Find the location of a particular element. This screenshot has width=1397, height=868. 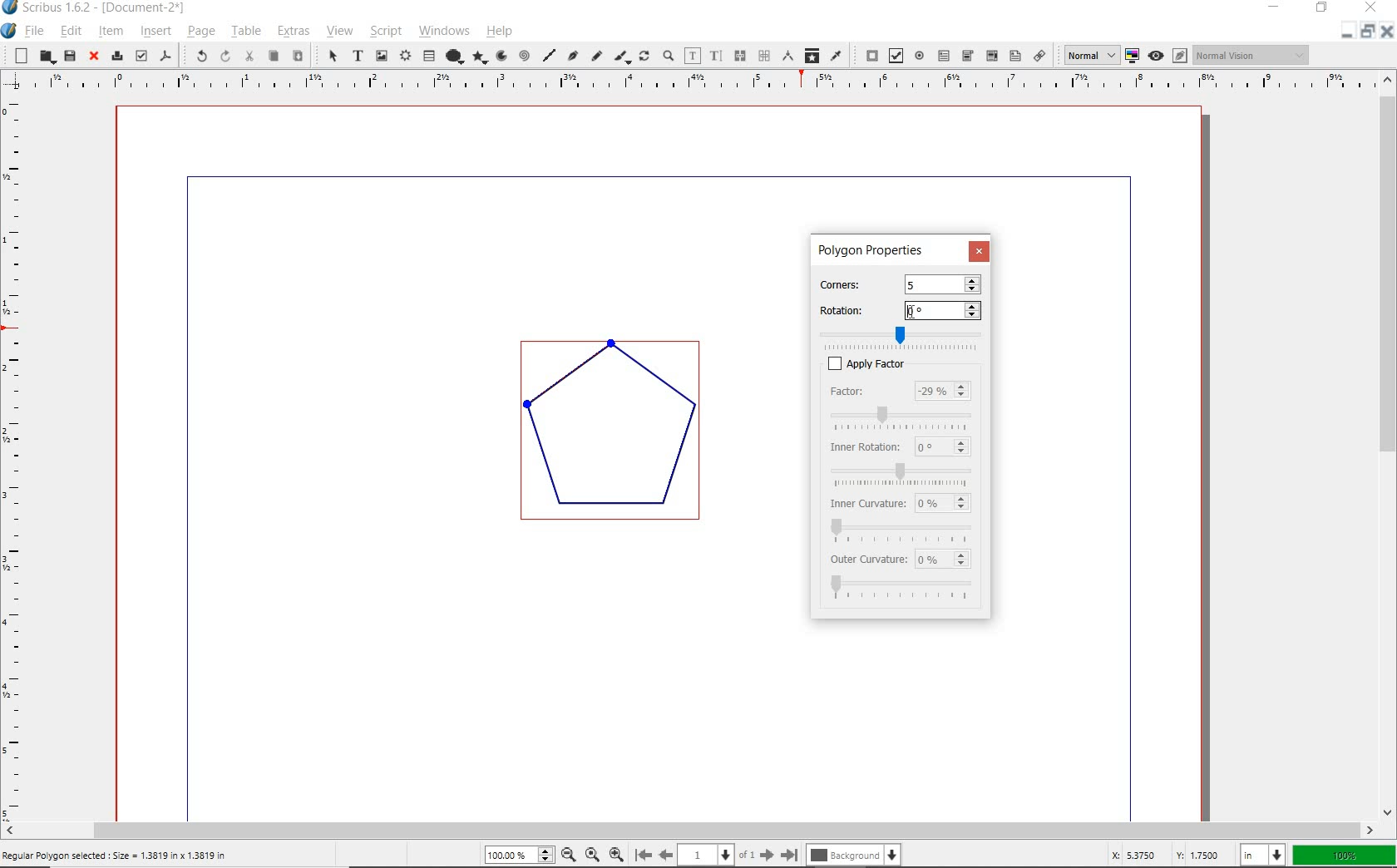

arc is located at coordinates (501, 57).